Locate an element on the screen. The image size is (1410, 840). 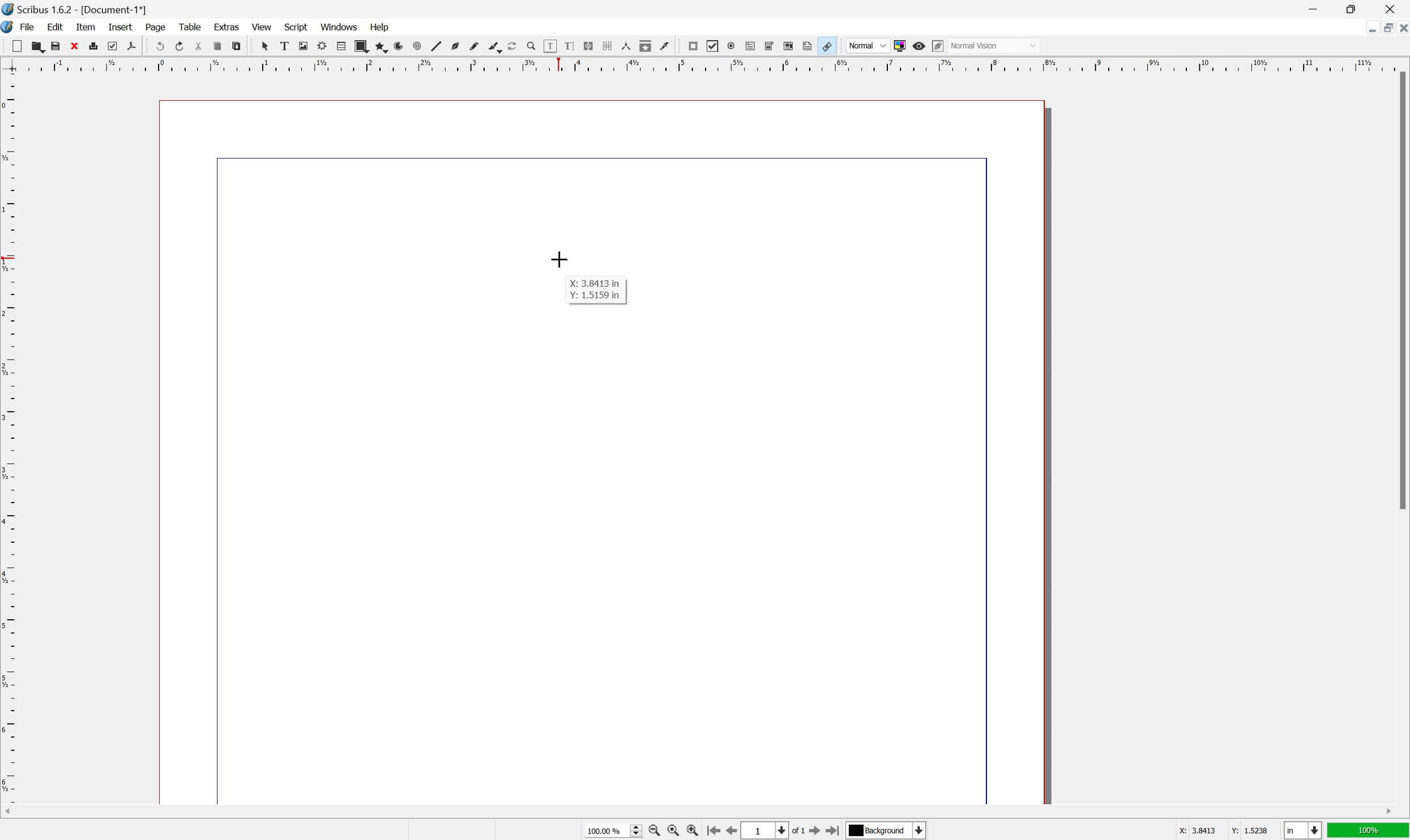
redo is located at coordinates (179, 45).